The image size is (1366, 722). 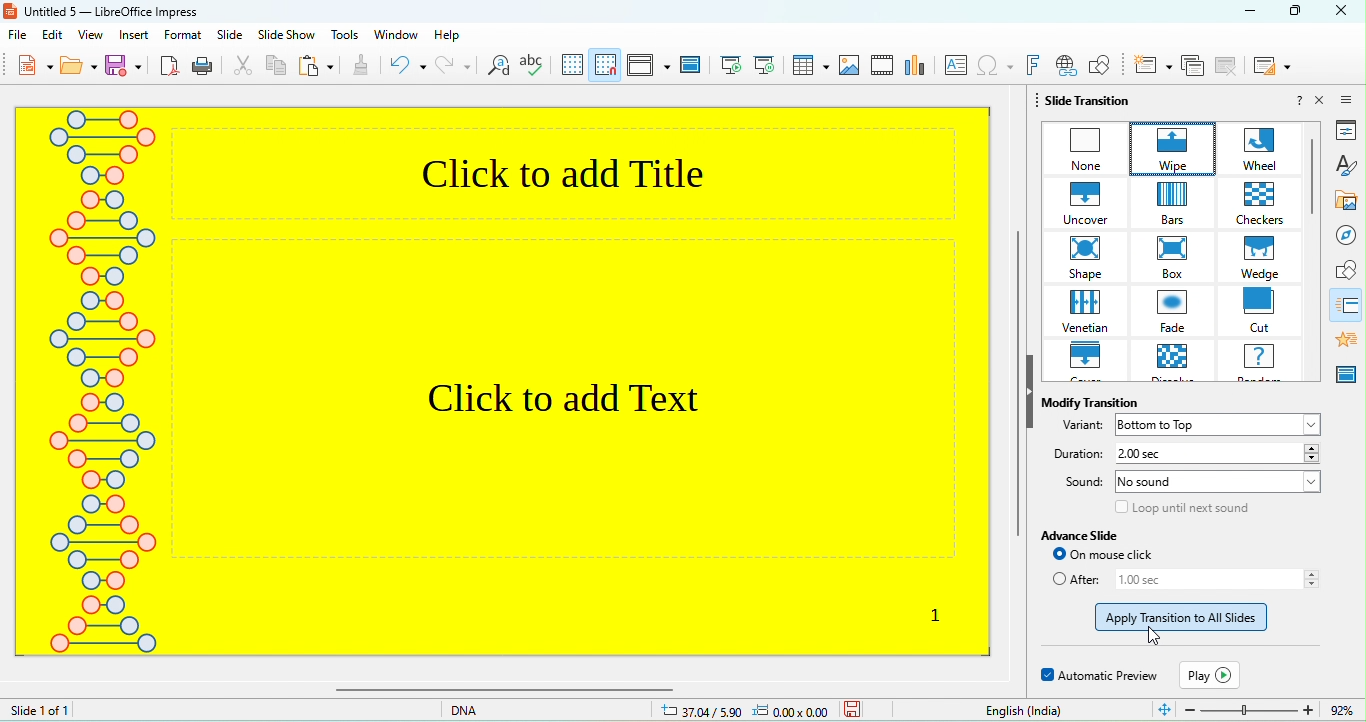 I want to click on table, so click(x=811, y=66).